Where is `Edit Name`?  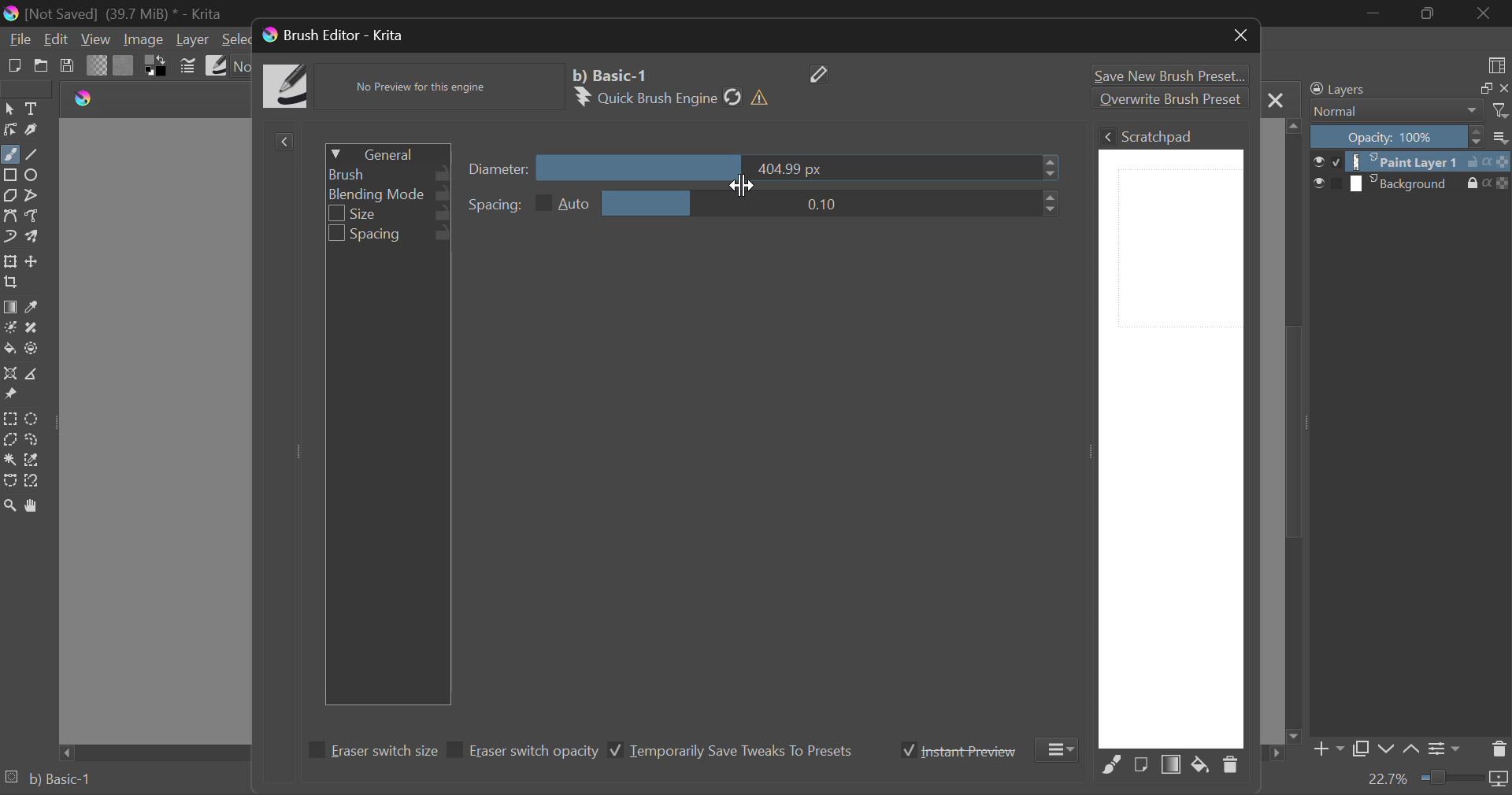
Edit Name is located at coordinates (821, 73).